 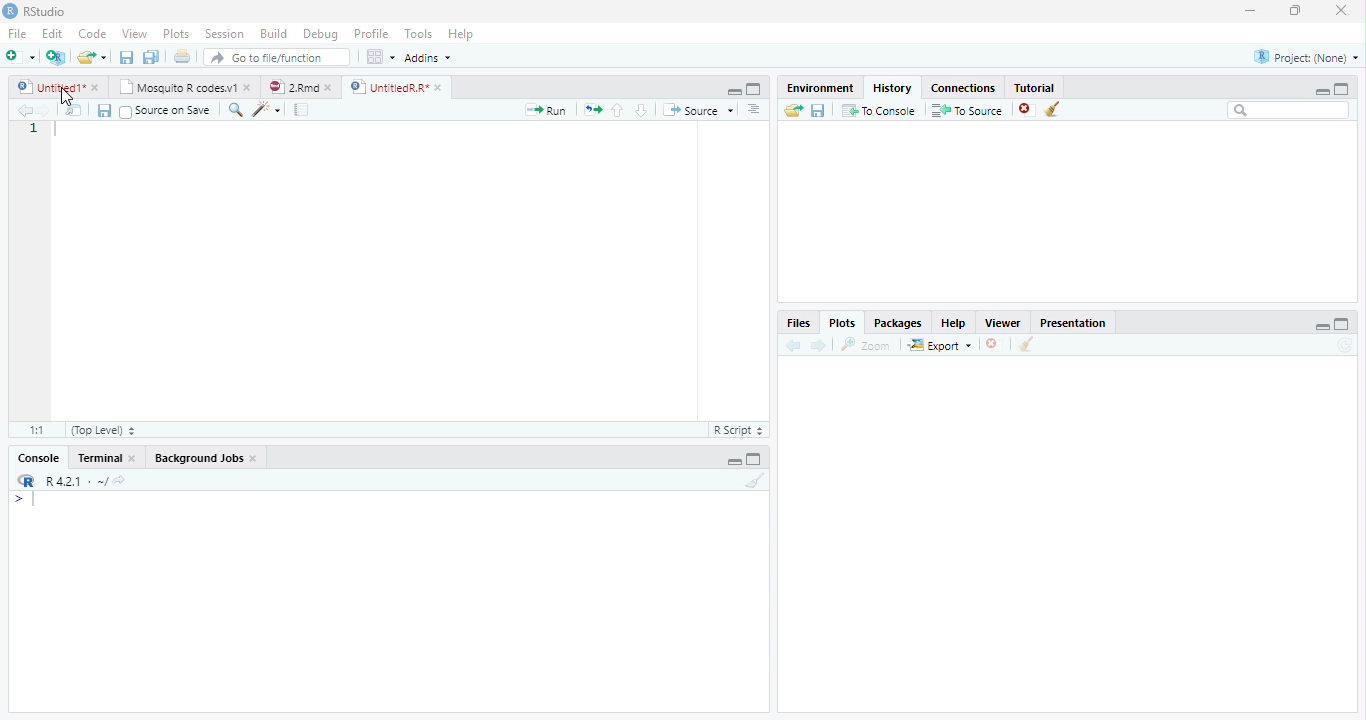 I want to click on Code Refactor, so click(x=269, y=109).